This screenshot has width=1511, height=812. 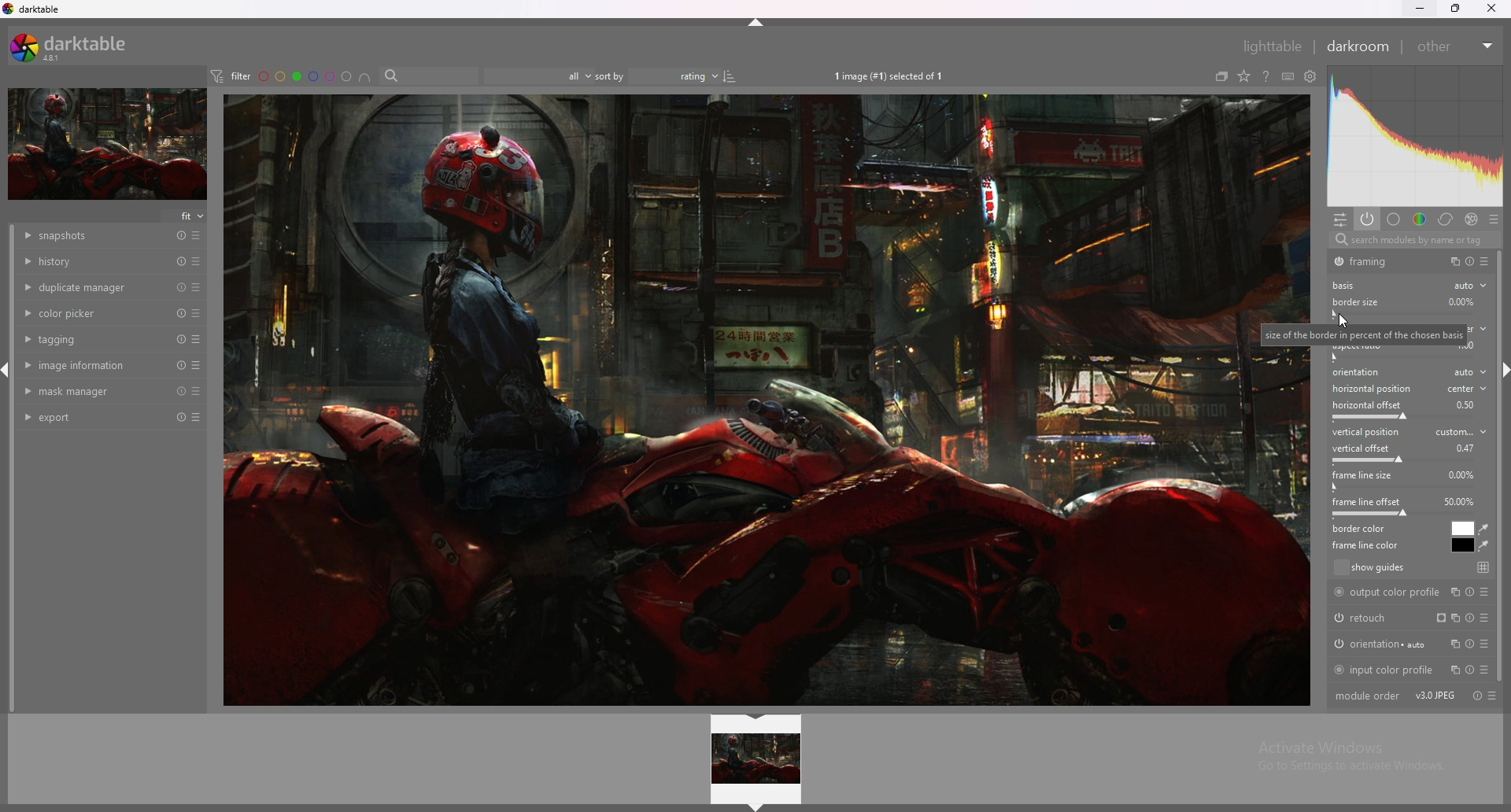 I want to click on other, so click(x=1453, y=45).